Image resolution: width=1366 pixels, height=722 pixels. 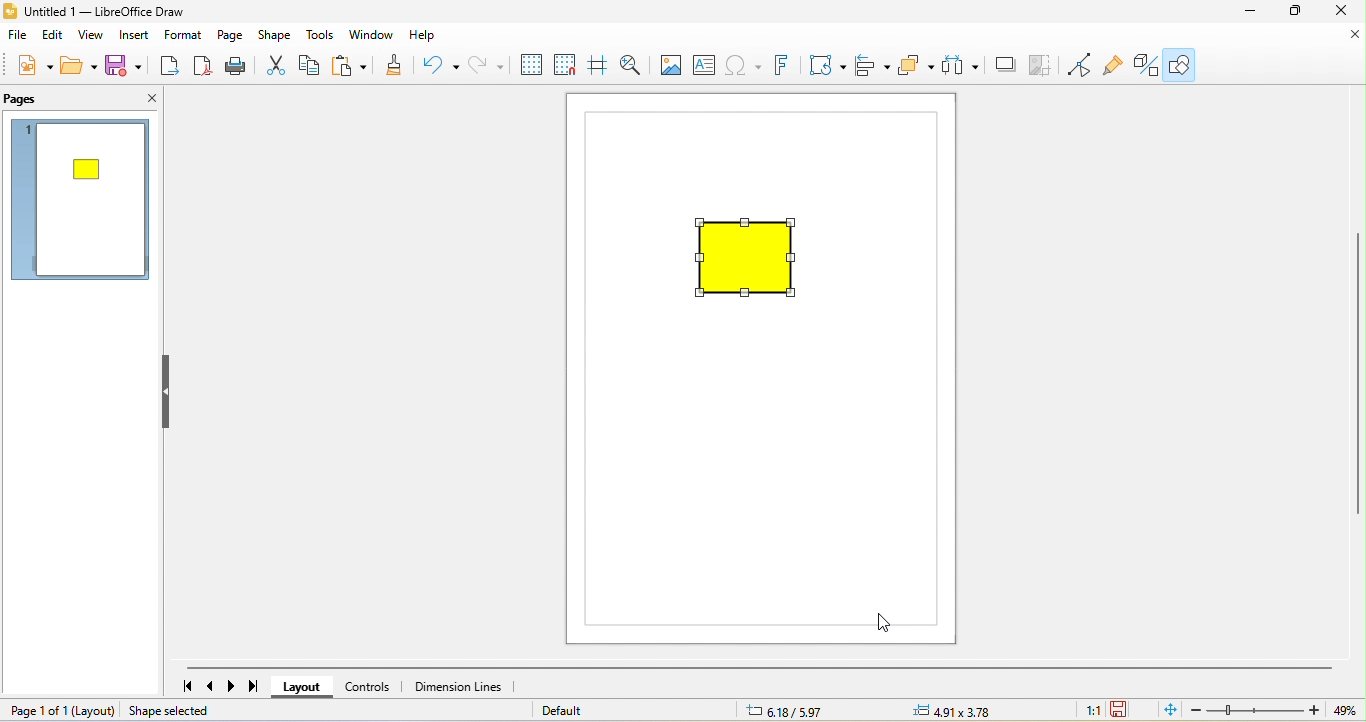 What do you see at coordinates (1004, 68) in the screenshot?
I see `shadow` at bounding box center [1004, 68].